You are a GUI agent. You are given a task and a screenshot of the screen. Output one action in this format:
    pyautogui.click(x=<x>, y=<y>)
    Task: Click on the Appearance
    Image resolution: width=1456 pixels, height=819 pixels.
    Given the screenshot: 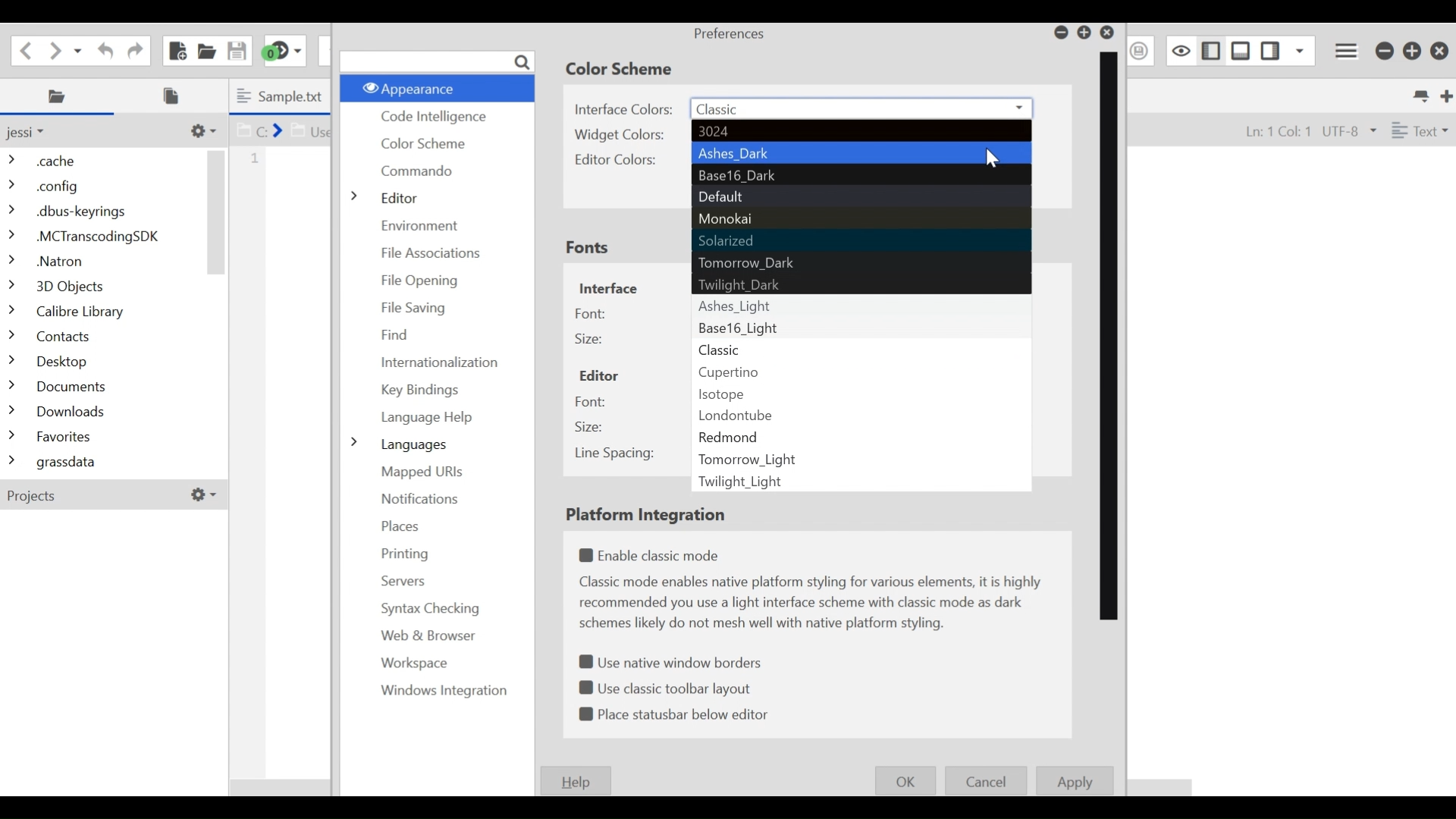 What is the action you would take?
    pyautogui.click(x=435, y=87)
    